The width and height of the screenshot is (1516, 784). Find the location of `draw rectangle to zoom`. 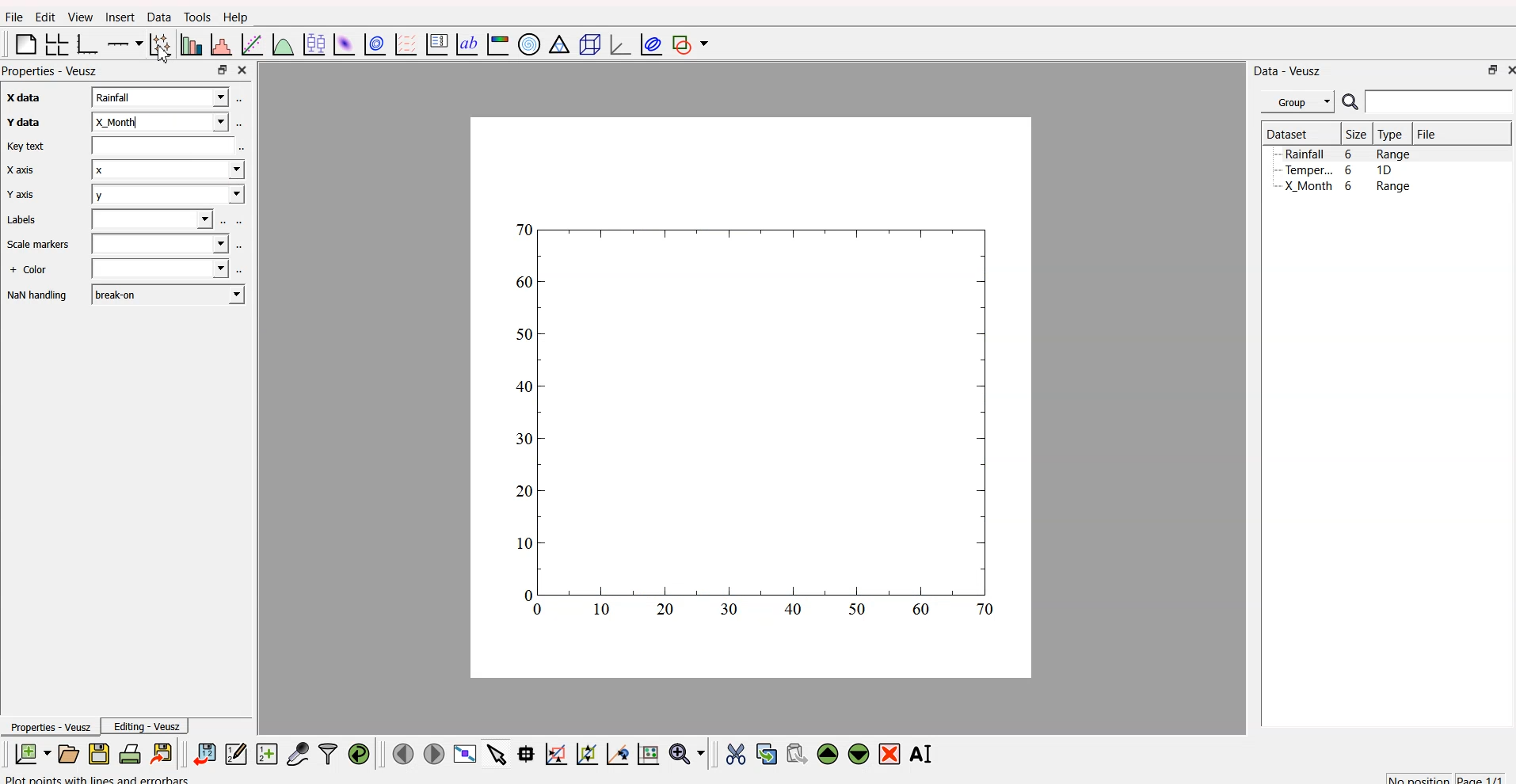

draw rectangle to zoom is located at coordinates (556, 753).